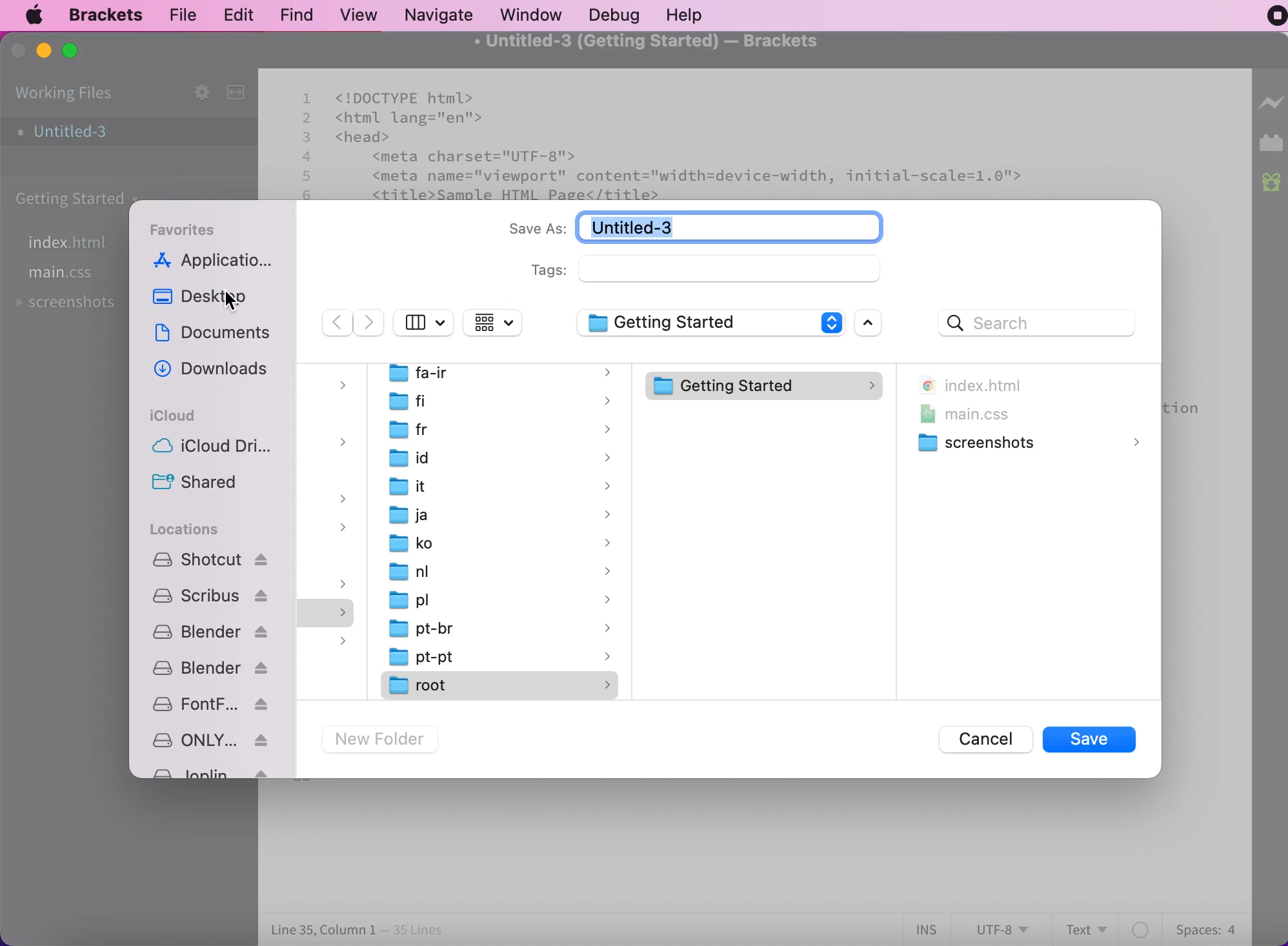 This screenshot has width=1288, height=946. What do you see at coordinates (210, 668) in the screenshot?
I see `blender` at bounding box center [210, 668].